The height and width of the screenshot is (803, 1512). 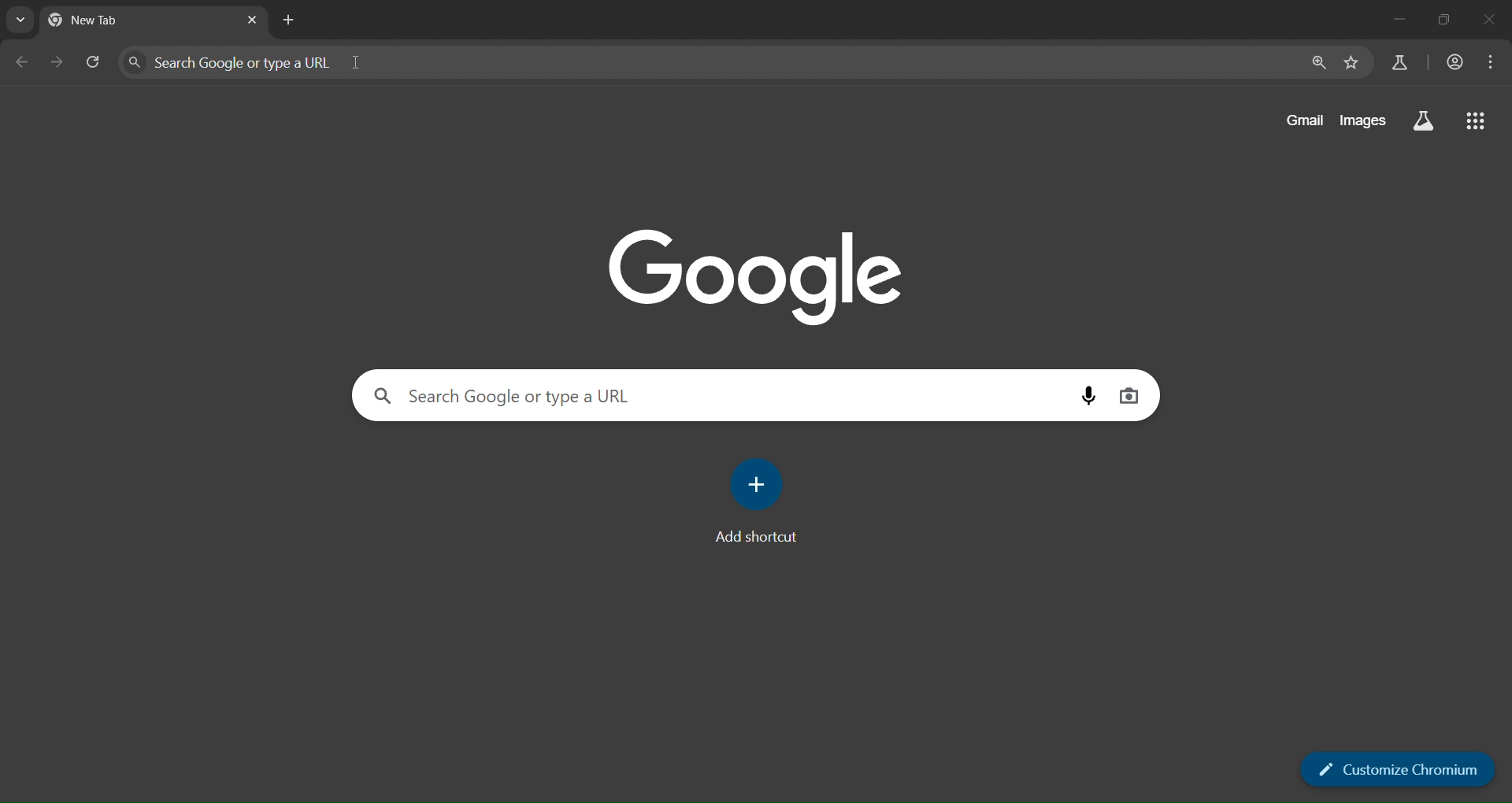 What do you see at coordinates (1366, 120) in the screenshot?
I see `images` at bounding box center [1366, 120].